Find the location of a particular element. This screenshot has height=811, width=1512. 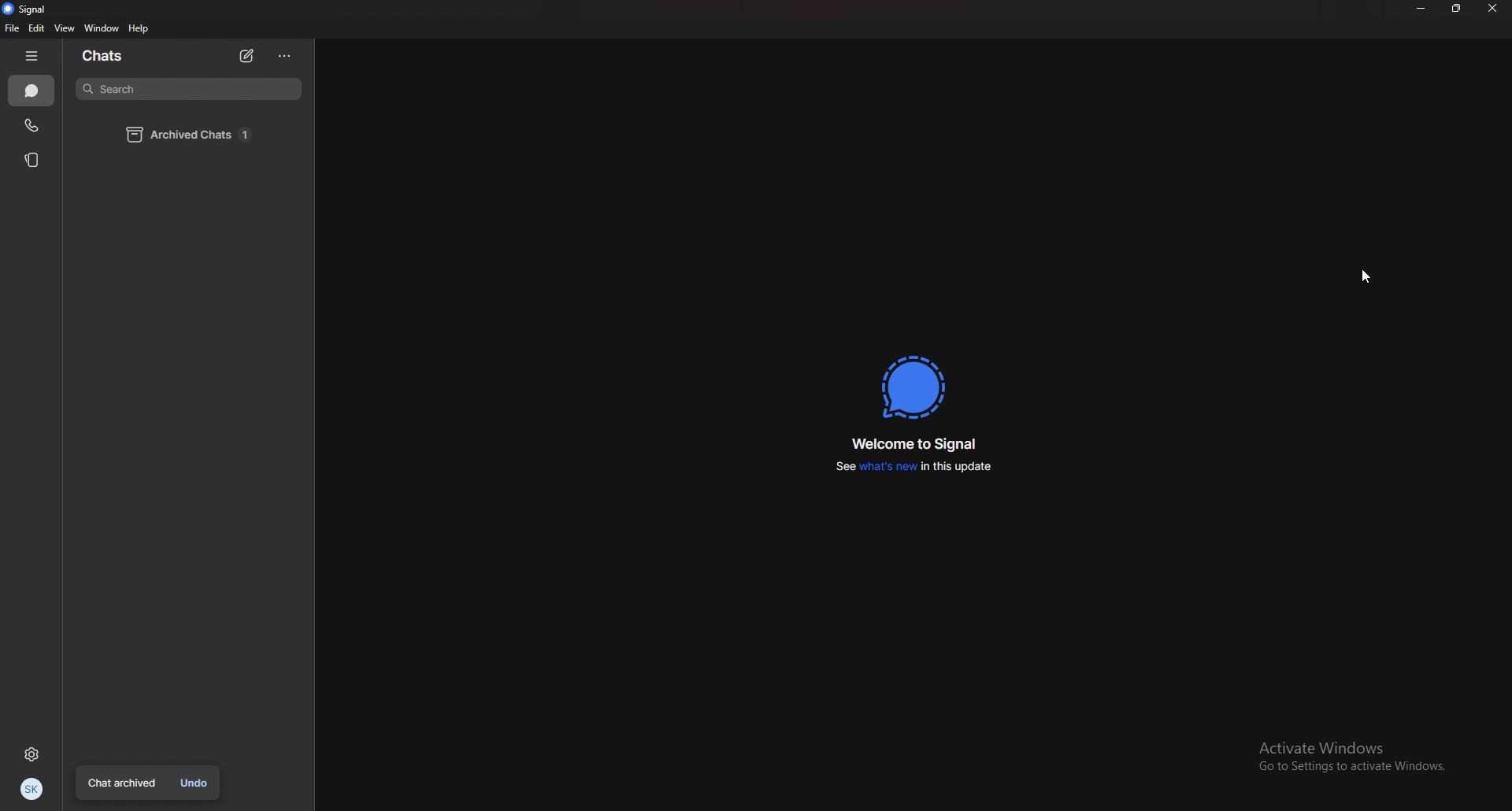

Window is located at coordinates (101, 28).